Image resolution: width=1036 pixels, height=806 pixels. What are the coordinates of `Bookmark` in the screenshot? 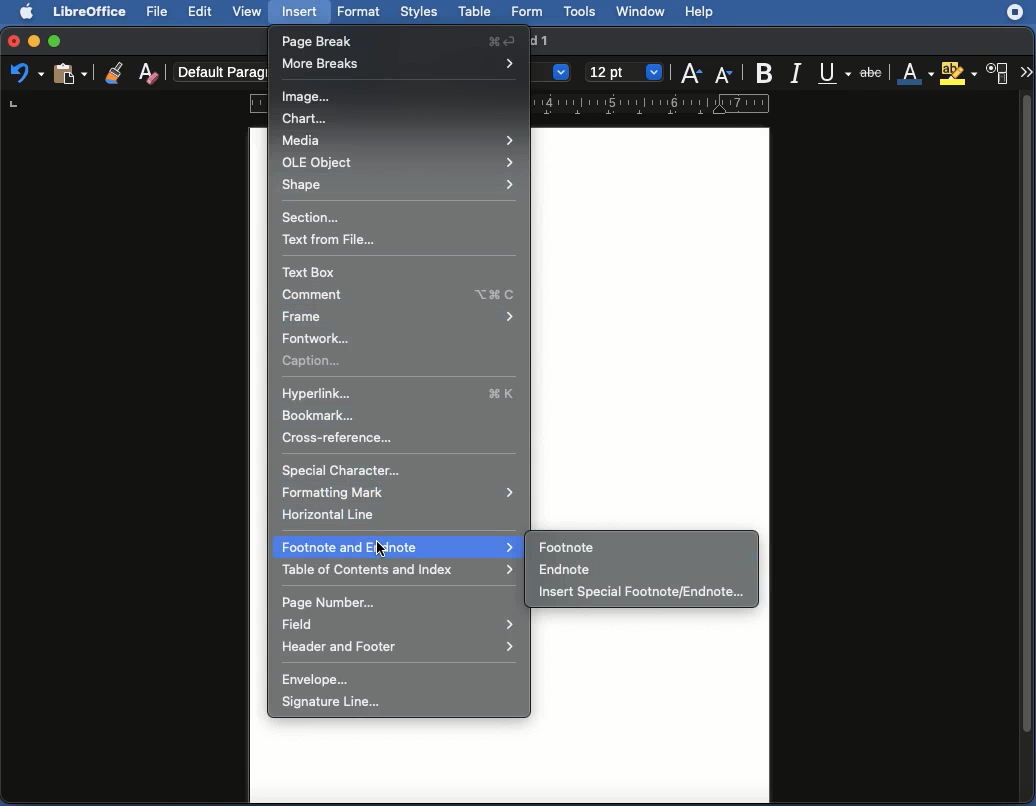 It's located at (323, 415).